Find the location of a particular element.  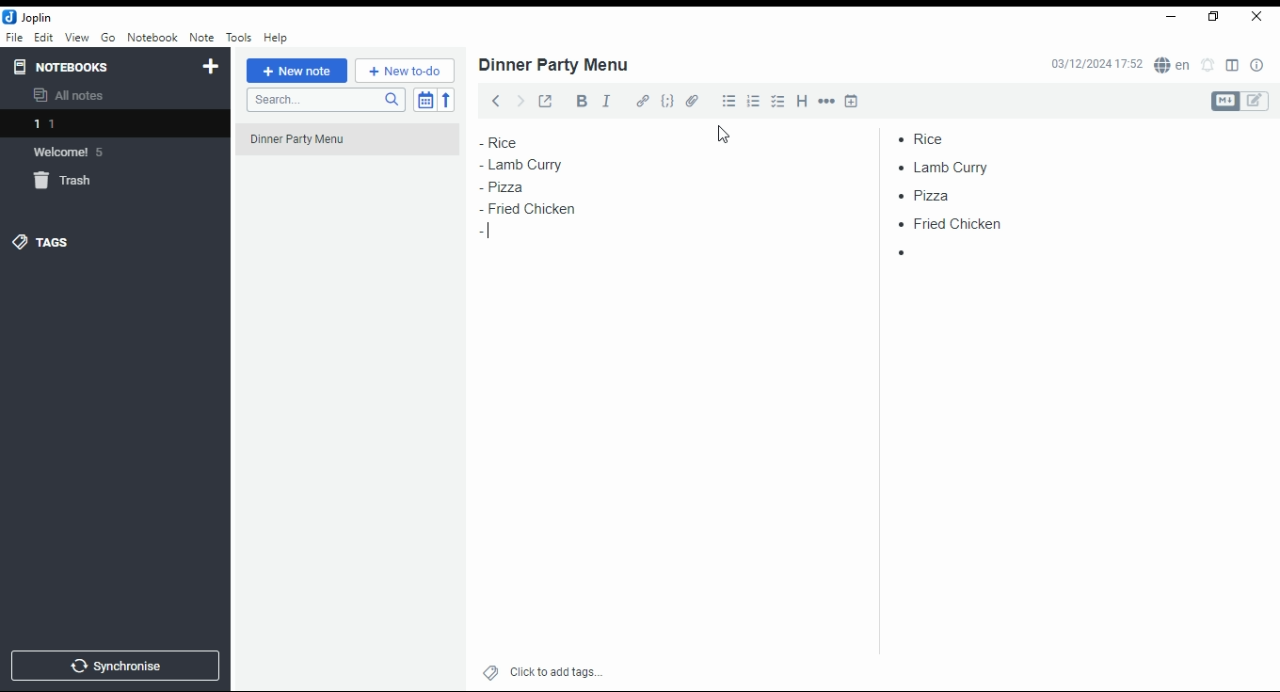

hyperlink is located at coordinates (642, 102).